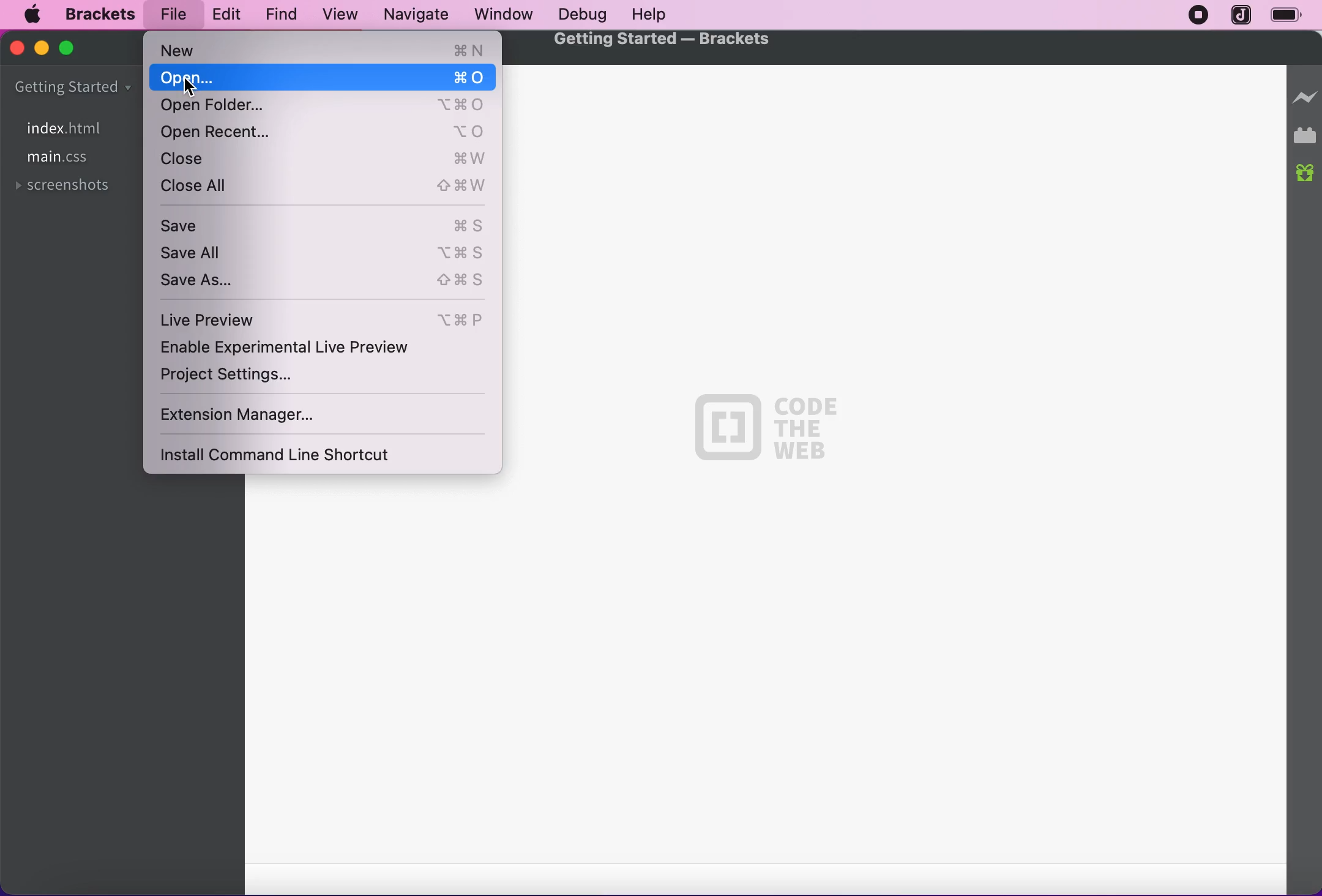 The width and height of the screenshot is (1322, 896). Describe the element at coordinates (18, 48) in the screenshot. I see `close` at that location.